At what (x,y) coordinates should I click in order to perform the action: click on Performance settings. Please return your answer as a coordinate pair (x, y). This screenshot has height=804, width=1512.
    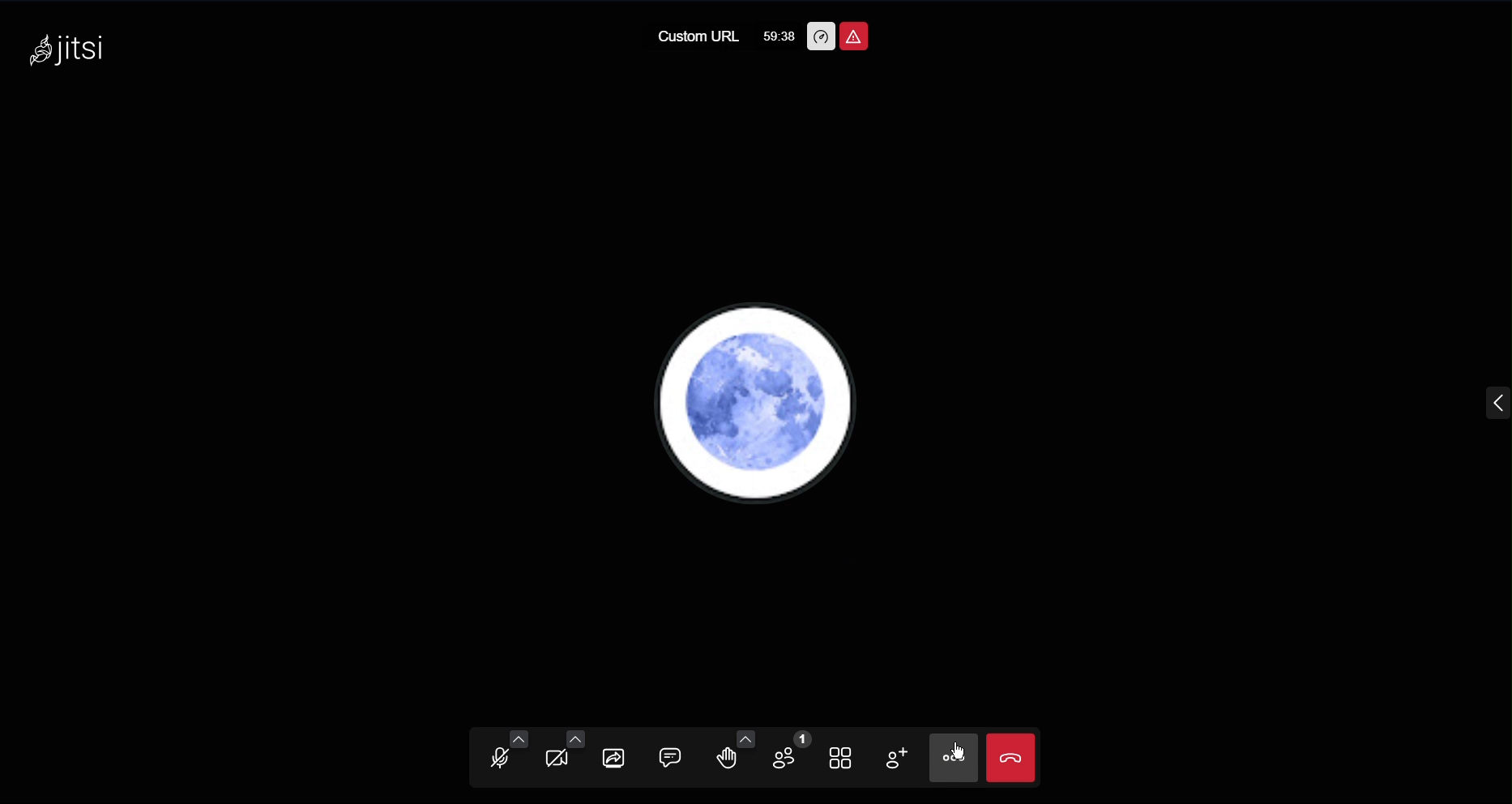
    Looking at the image, I should click on (822, 35).